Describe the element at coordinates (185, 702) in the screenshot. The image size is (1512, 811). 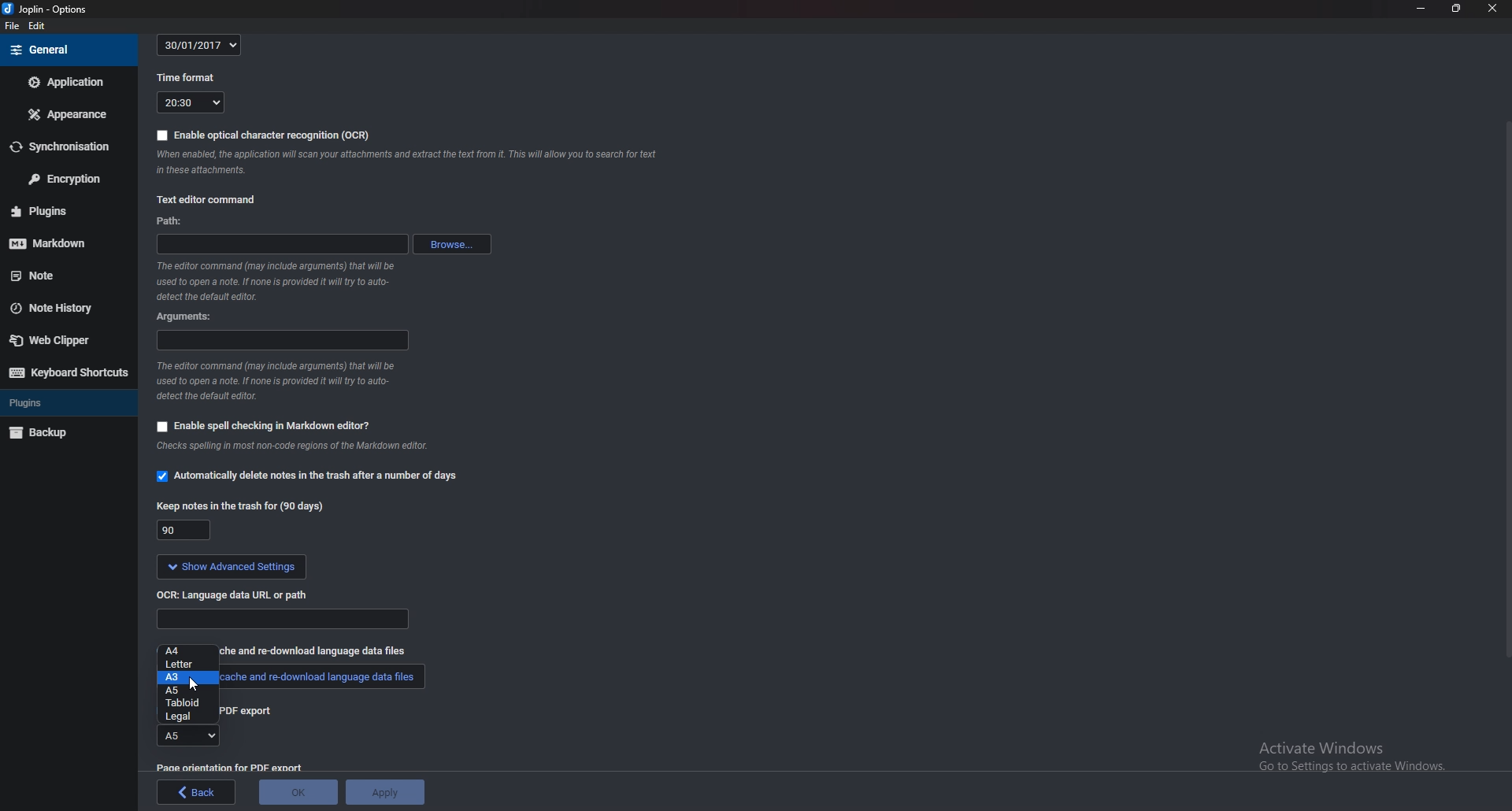
I see `tabloid` at that location.